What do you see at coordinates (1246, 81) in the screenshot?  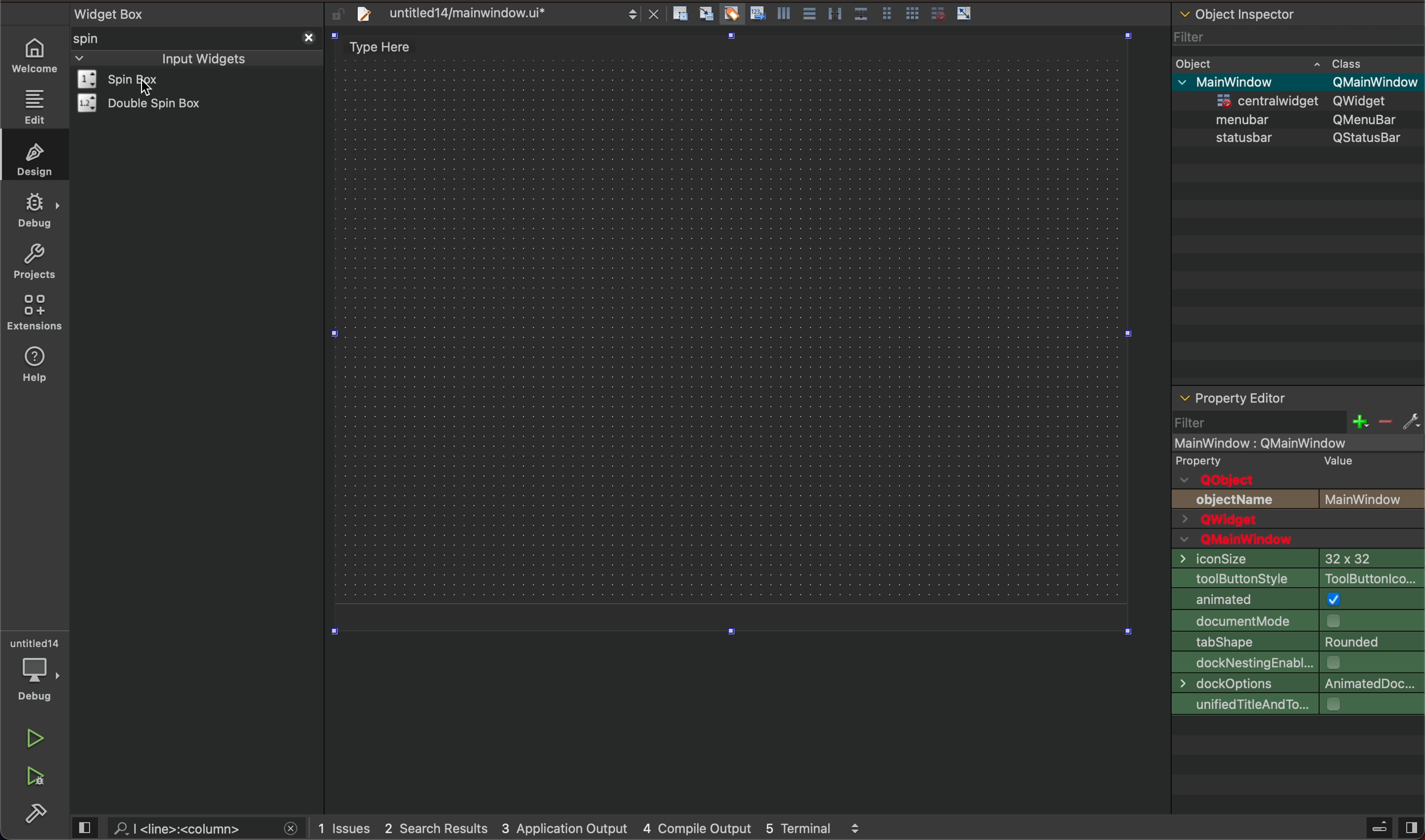 I see `` at bounding box center [1246, 81].